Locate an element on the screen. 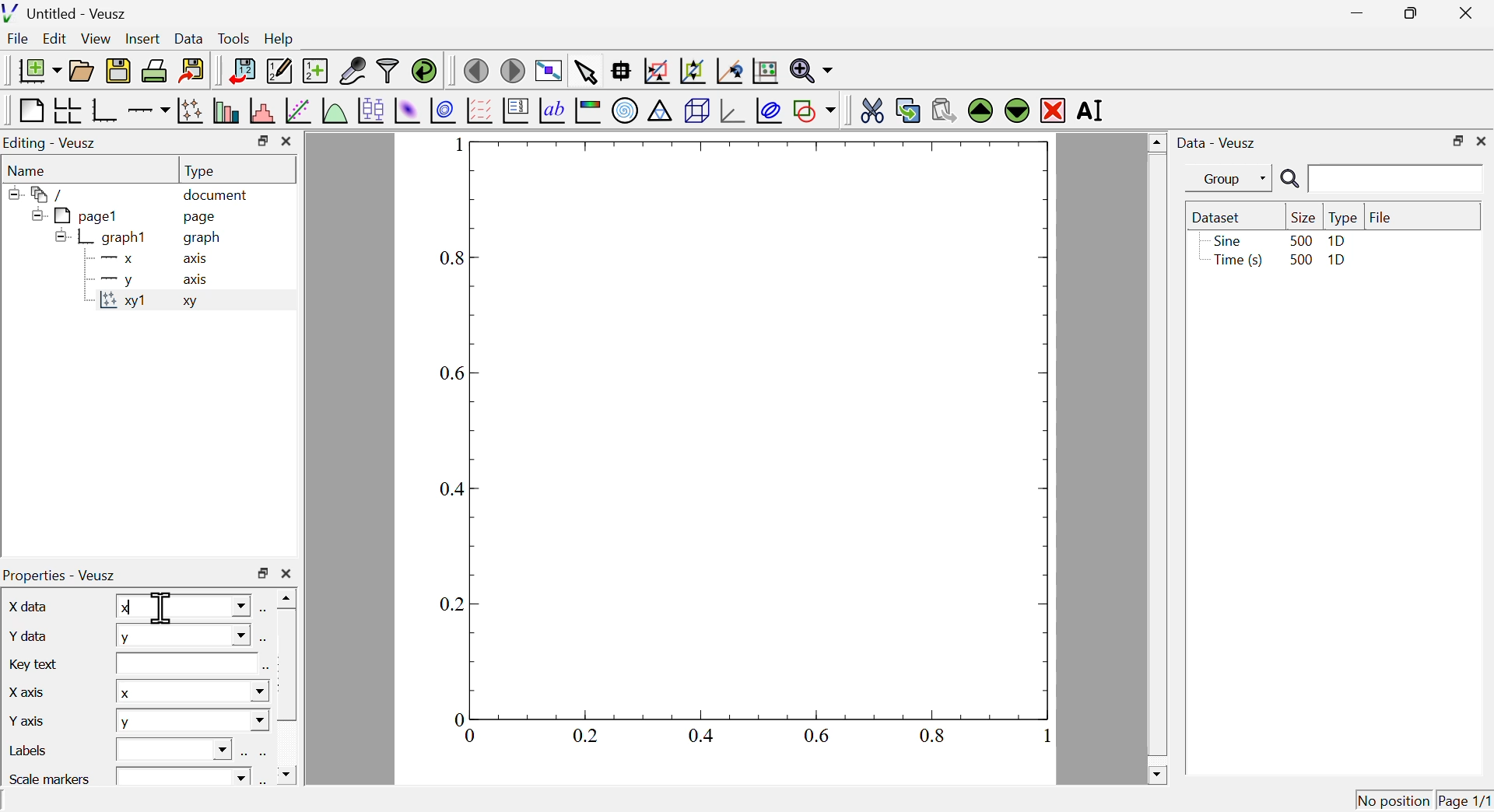 The width and height of the screenshot is (1494, 812). graph1 is located at coordinates (103, 238).